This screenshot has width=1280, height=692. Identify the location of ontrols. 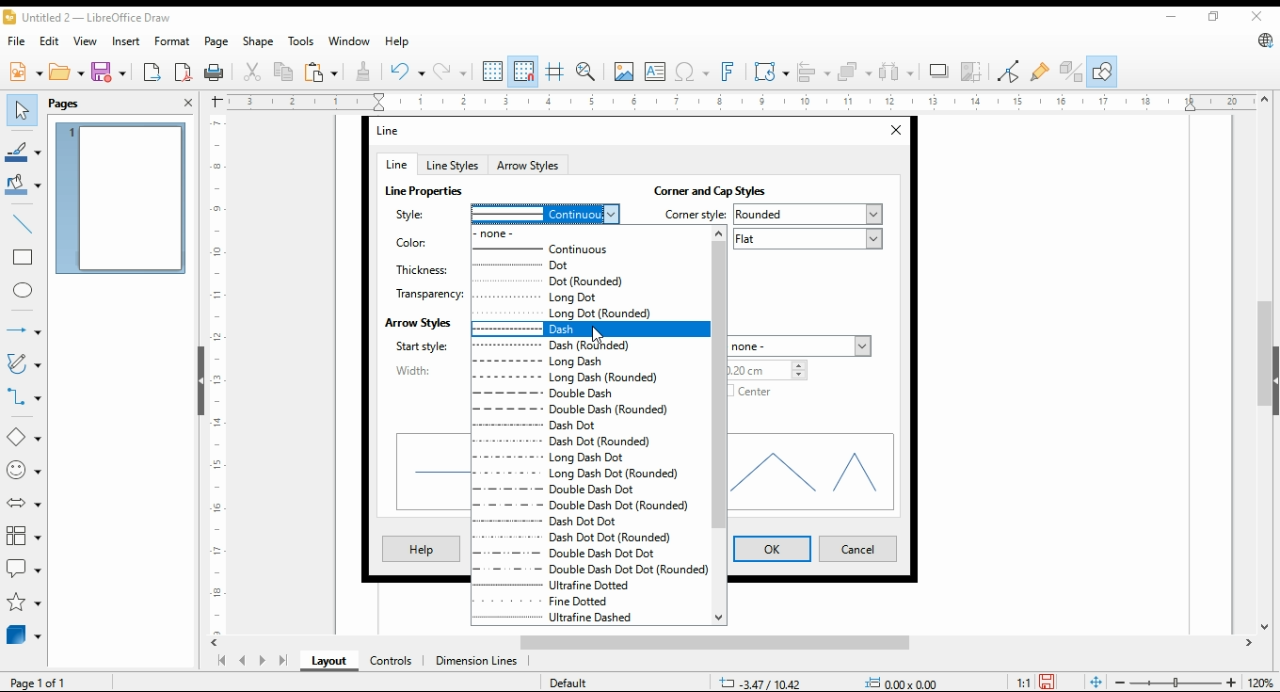
(392, 661).